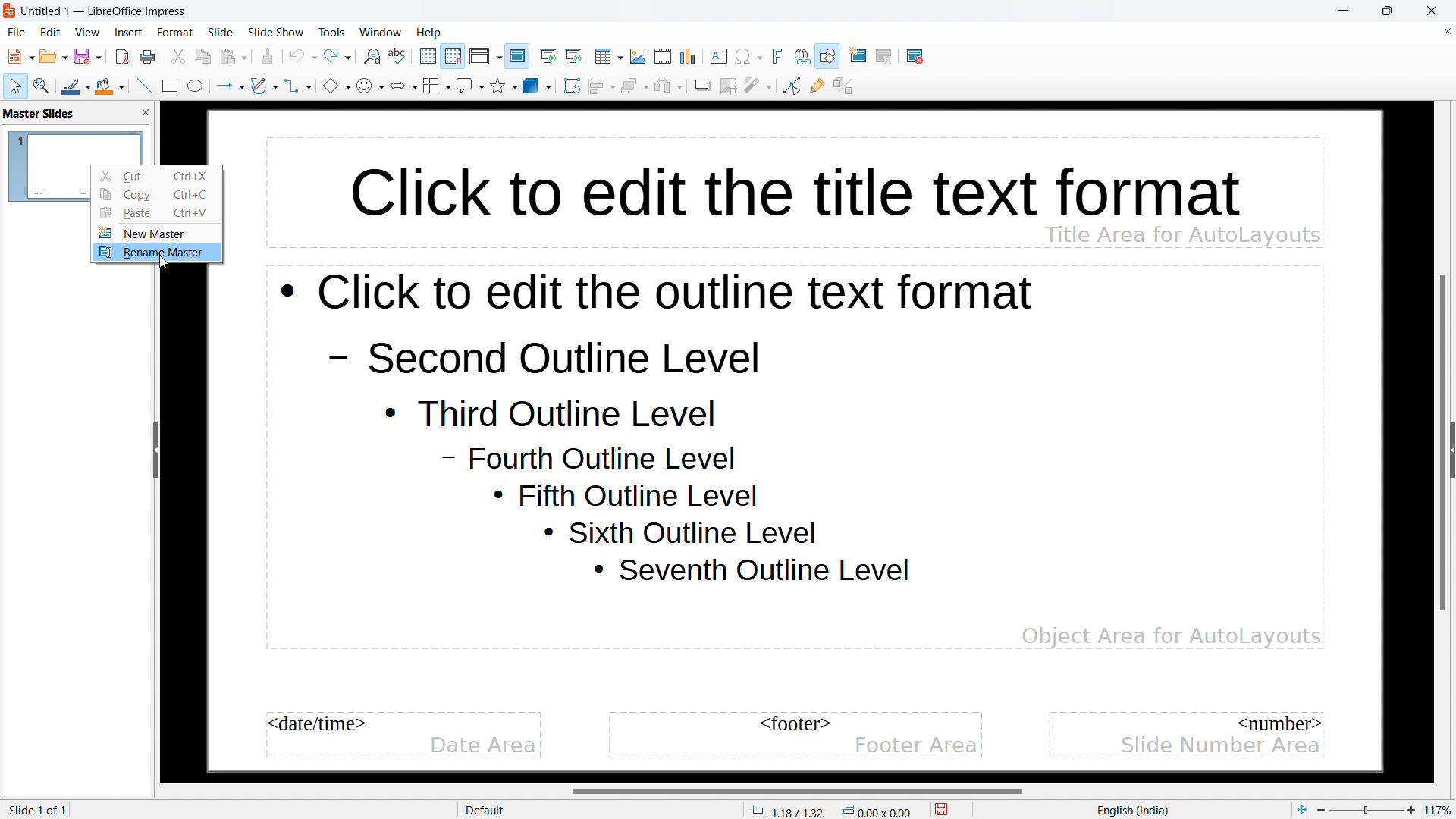 This screenshot has height=819, width=1456. What do you see at coordinates (1440, 443) in the screenshot?
I see `vertical scrollbar` at bounding box center [1440, 443].